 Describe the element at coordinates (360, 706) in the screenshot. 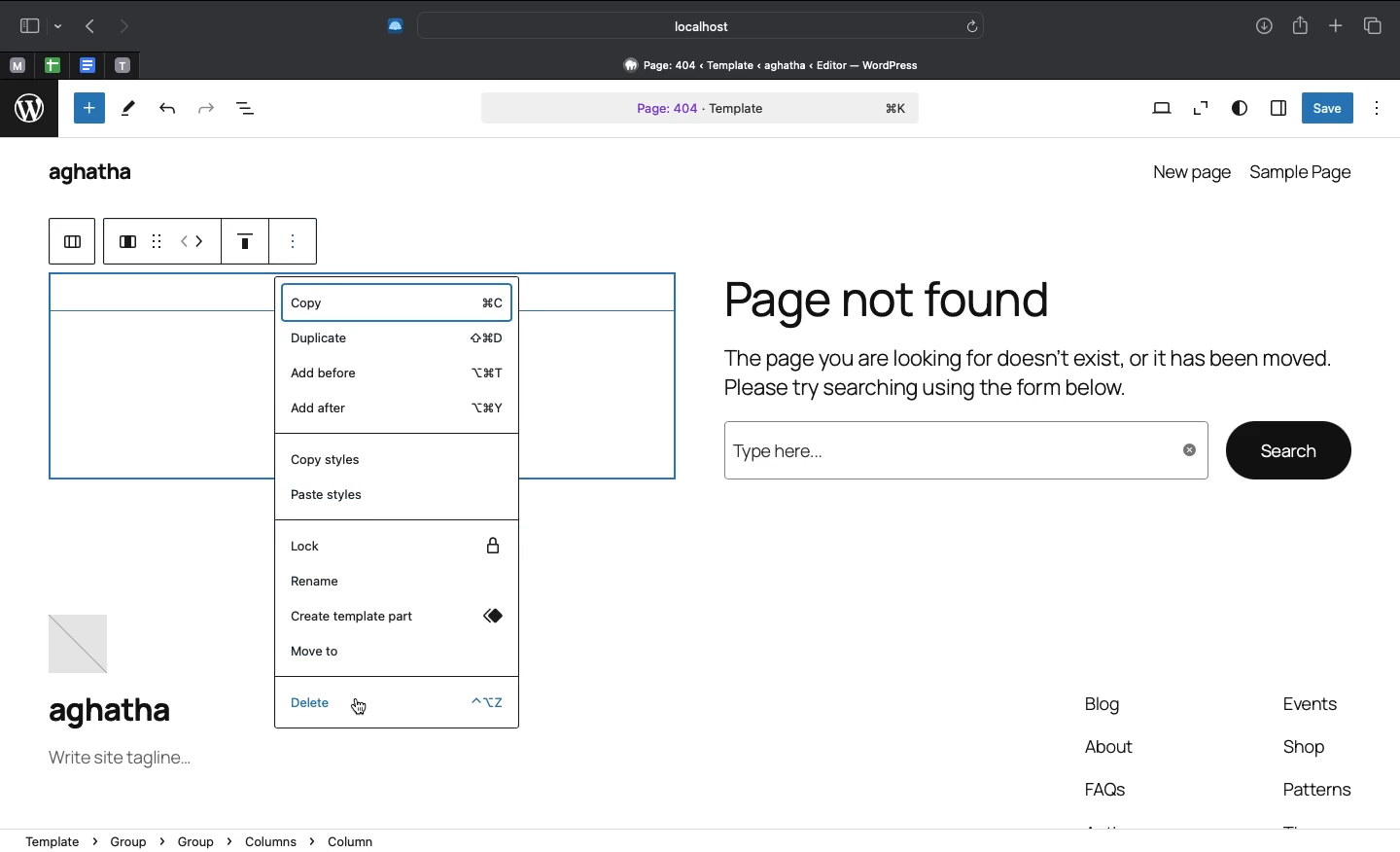

I see `cursor` at that location.